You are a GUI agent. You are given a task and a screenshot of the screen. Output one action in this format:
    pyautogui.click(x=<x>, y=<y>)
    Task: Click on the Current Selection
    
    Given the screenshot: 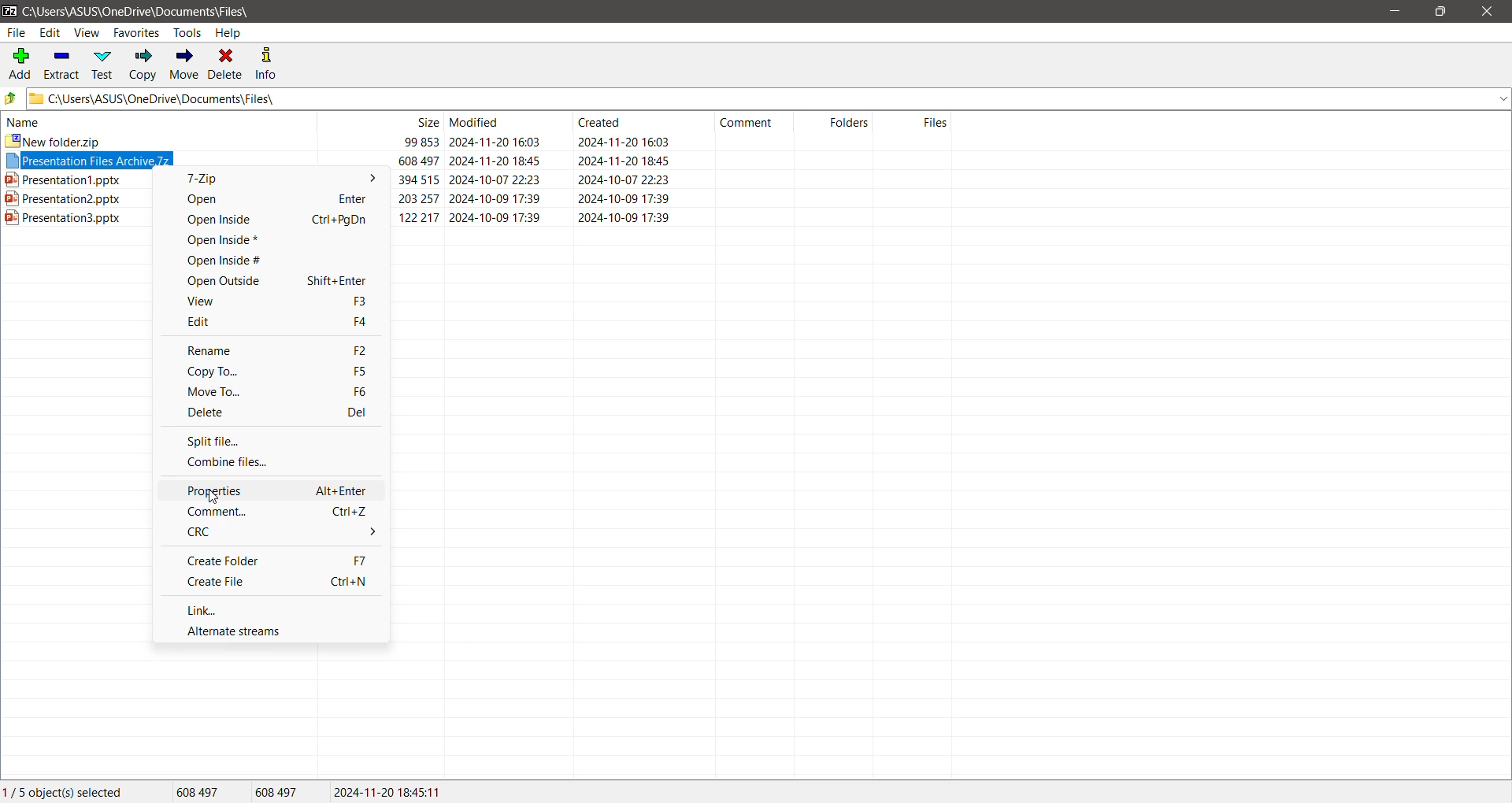 What is the action you would take?
    pyautogui.click(x=69, y=792)
    